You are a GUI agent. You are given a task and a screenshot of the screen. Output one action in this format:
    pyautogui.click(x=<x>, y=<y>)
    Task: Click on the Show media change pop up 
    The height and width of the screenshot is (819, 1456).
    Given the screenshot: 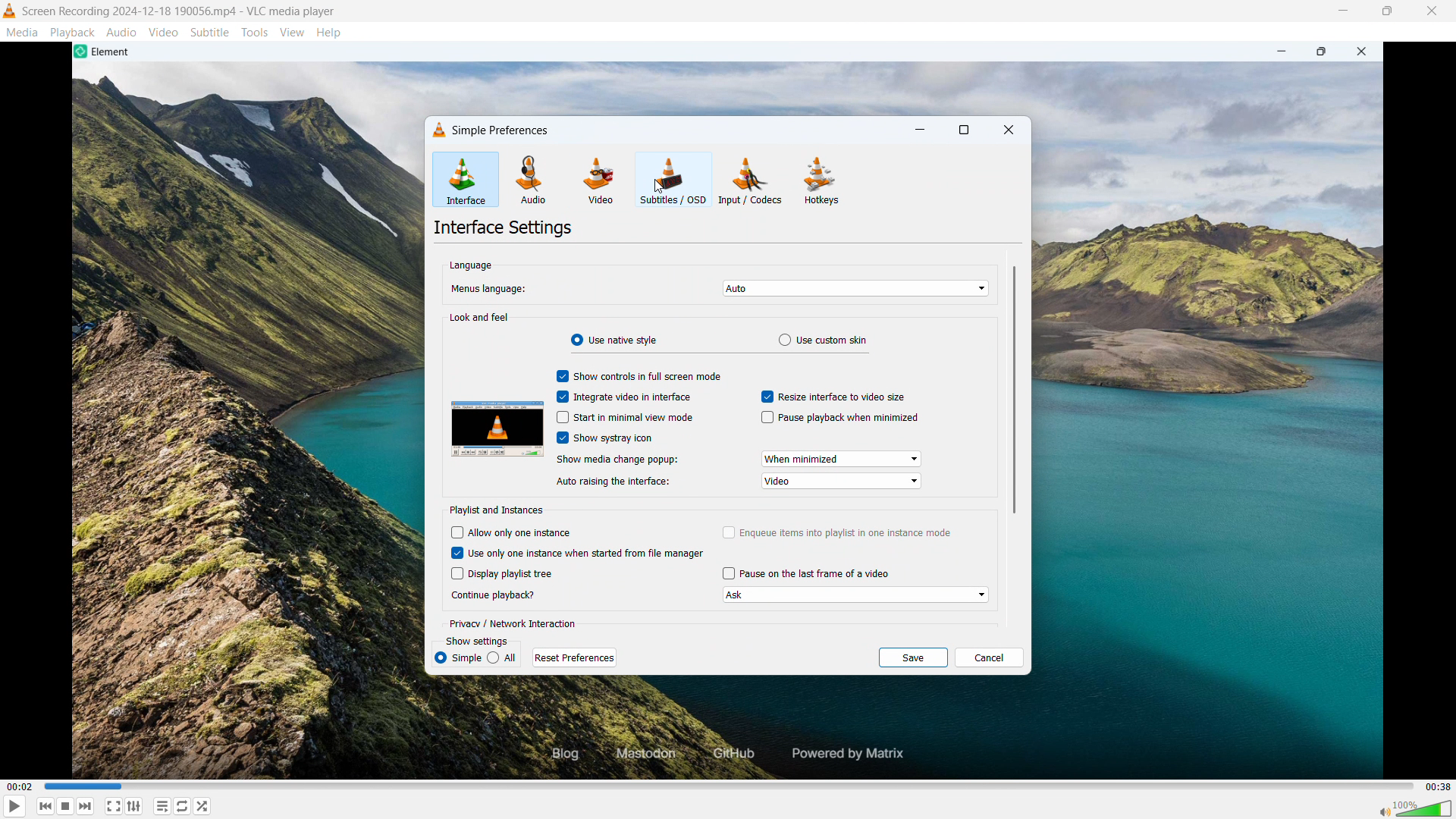 What is the action you would take?
    pyautogui.click(x=840, y=458)
    